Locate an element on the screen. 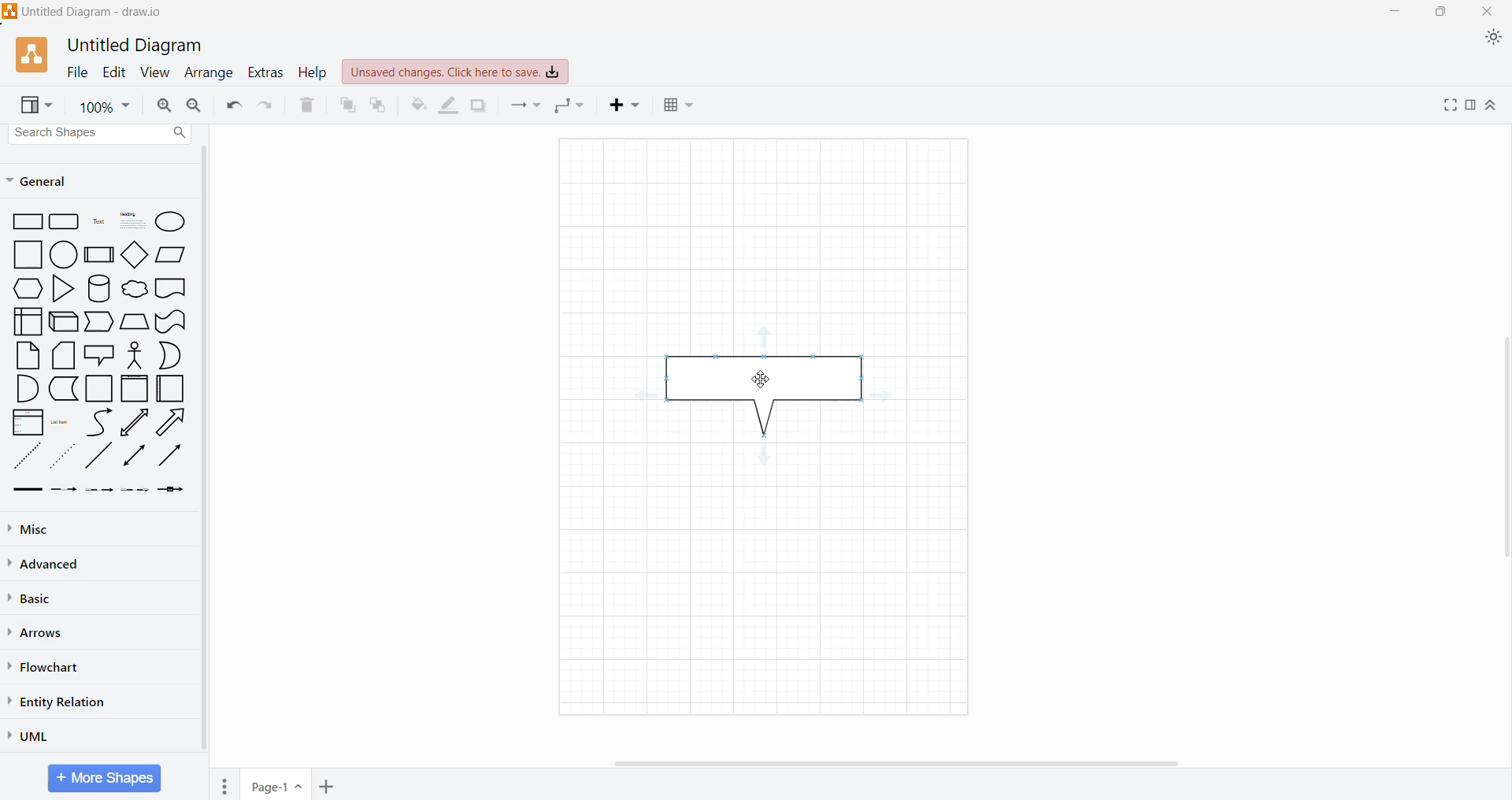 Image resolution: width=1512 pixels, height=800 pixels. Zoom is located at coordinates (104, 105).